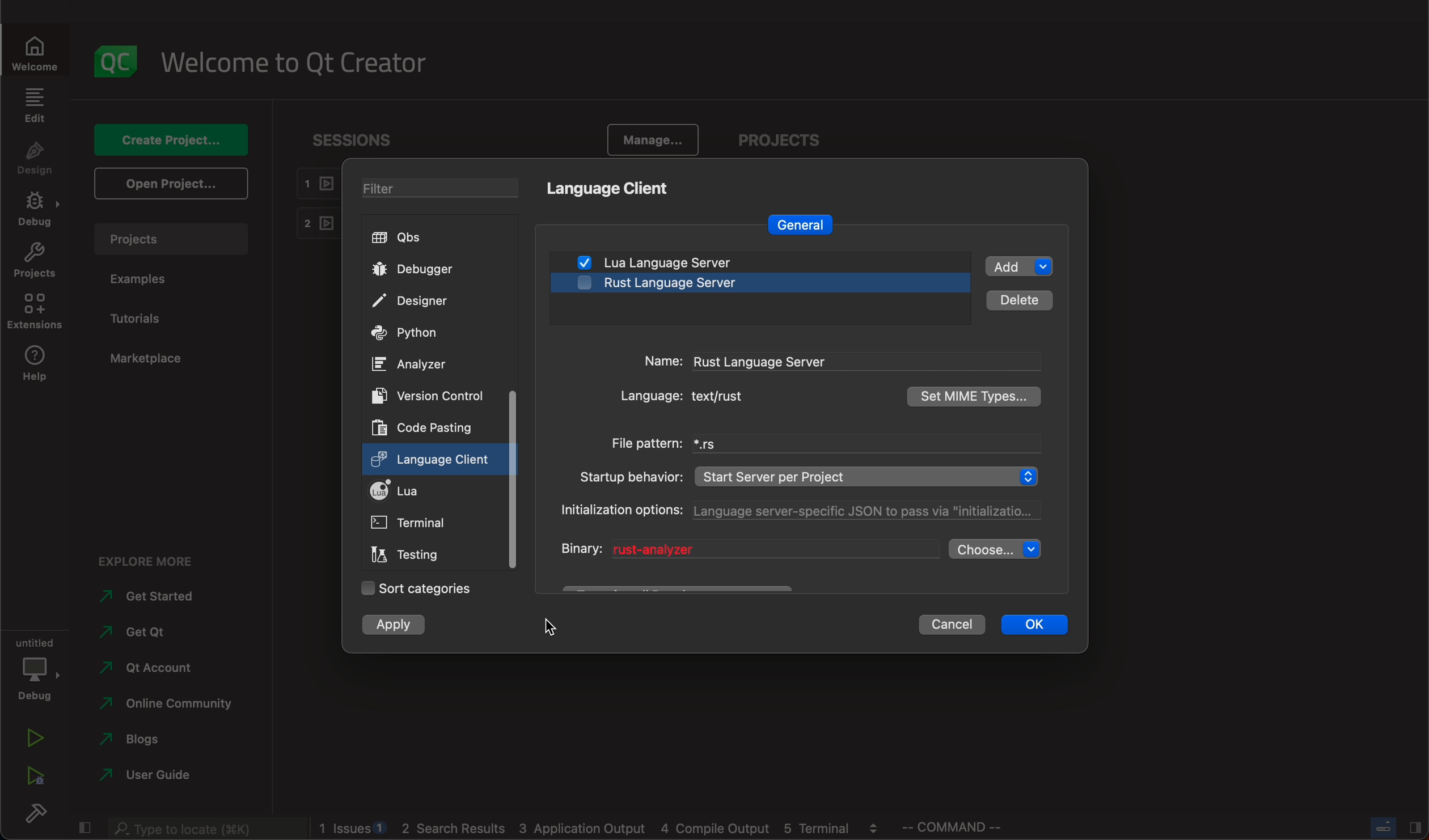 The height and width of the screenshot is (840, 1429). I want to click on guide, so click(146, 777).